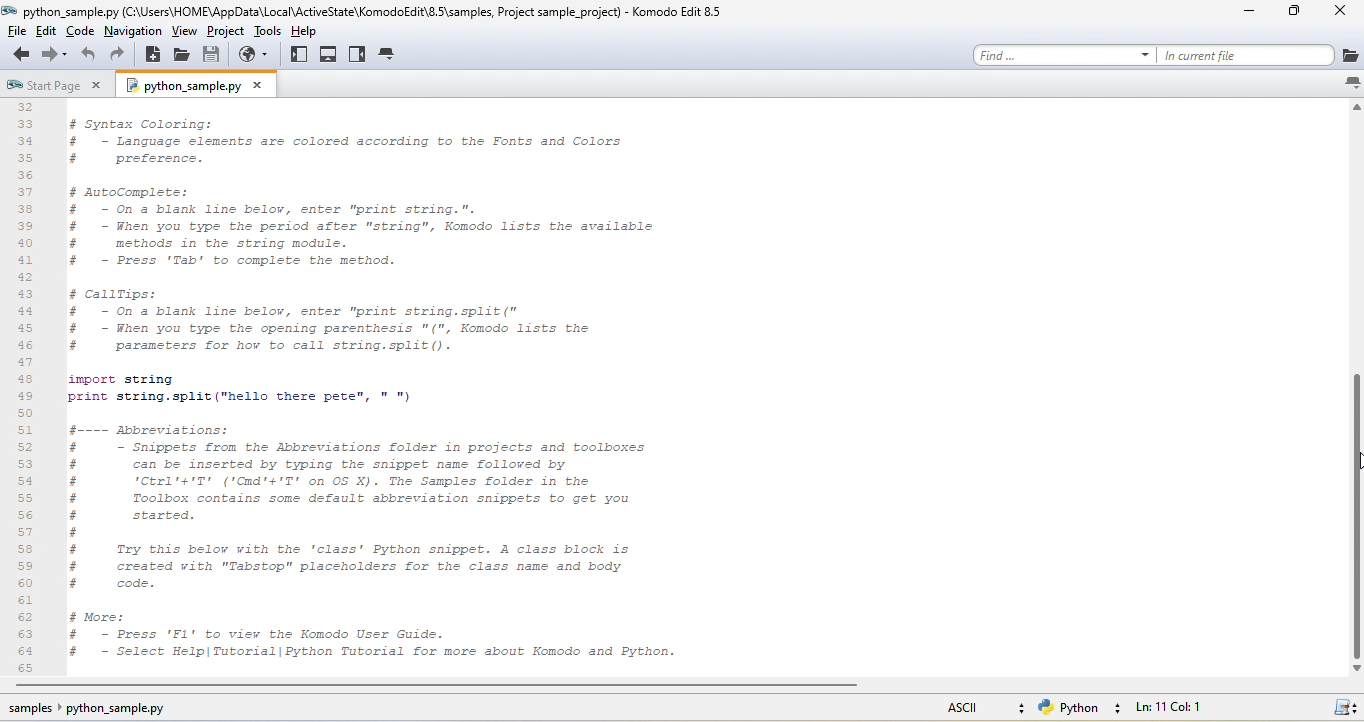 The height and width of the screenshot is (722, 1364). I want to click on open, so click(185, 57).